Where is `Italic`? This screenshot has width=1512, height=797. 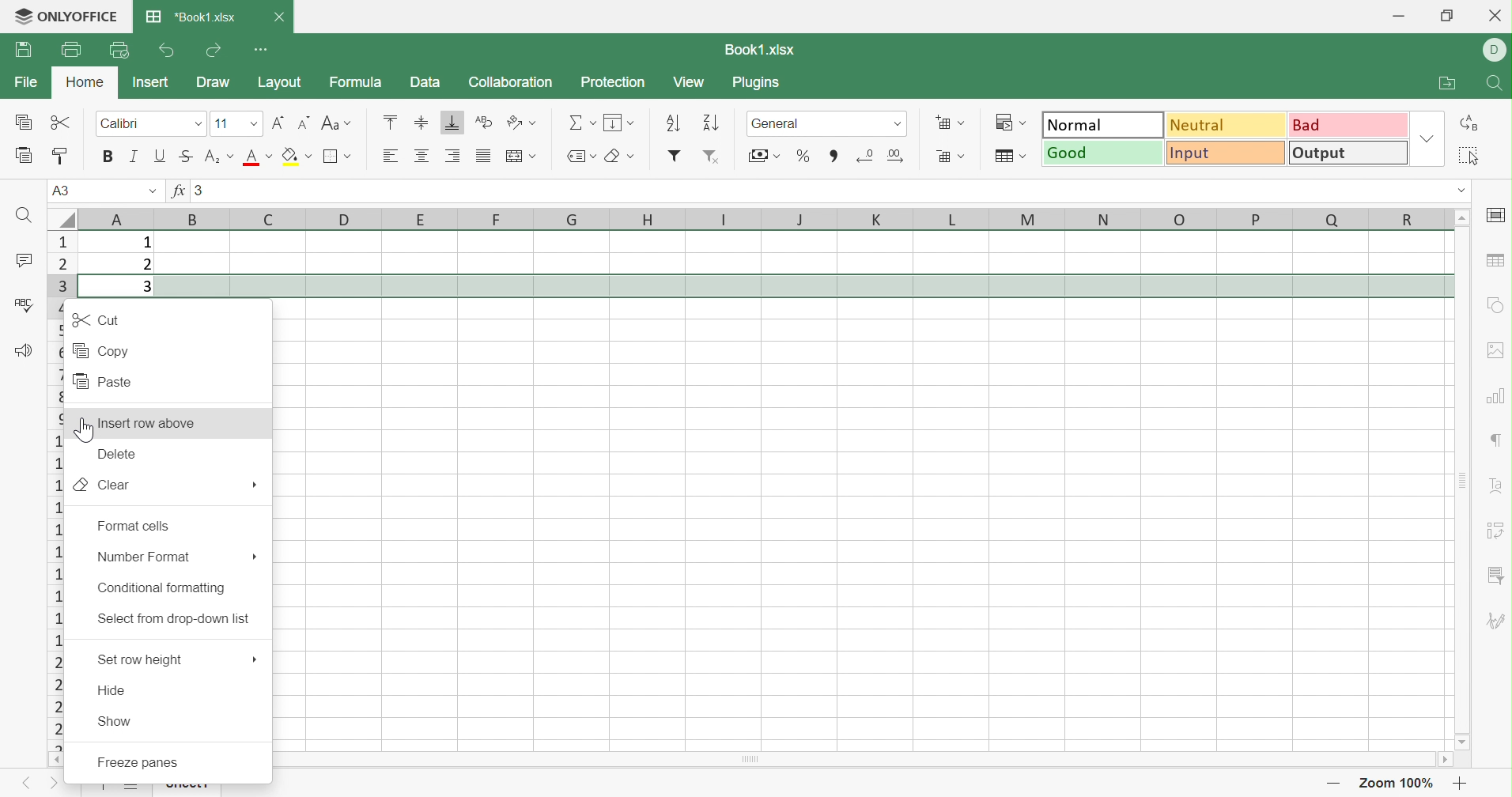 Italic is located at coordinates (134, 158).